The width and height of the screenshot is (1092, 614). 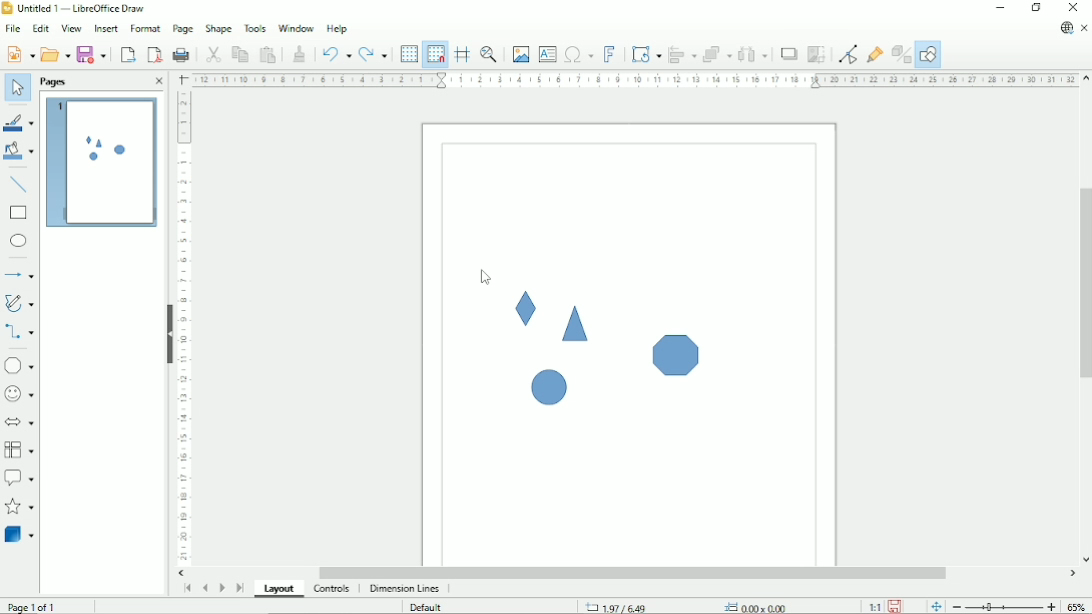 What do you see at coordinates (144, 29) in the screenshot?
I see `Format` at bounding box center [144, 29].